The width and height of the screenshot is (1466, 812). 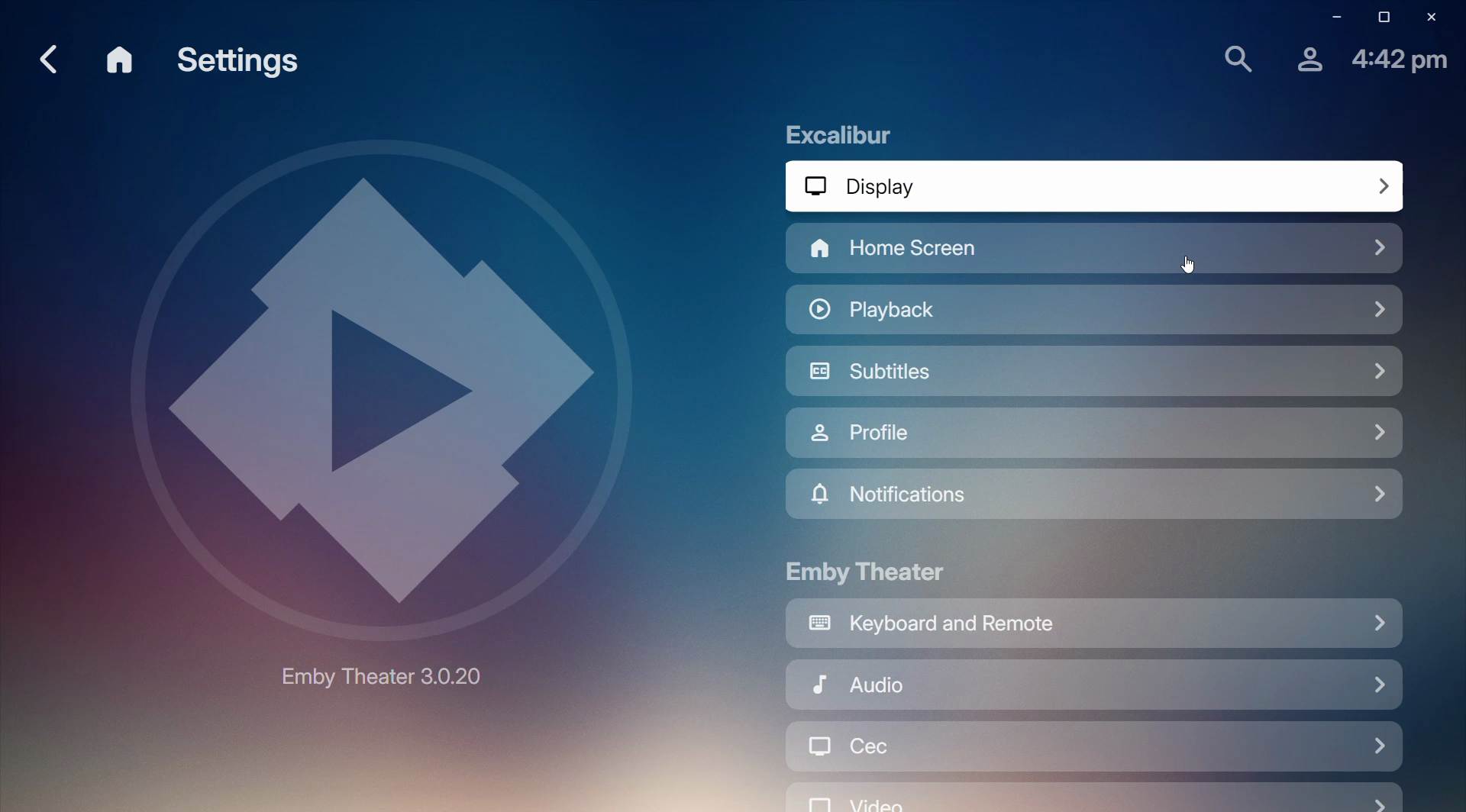 What do you see at coordinates (1379, 18) in the screenshot?
I see `Restore` at bounding box center [1379, 18].